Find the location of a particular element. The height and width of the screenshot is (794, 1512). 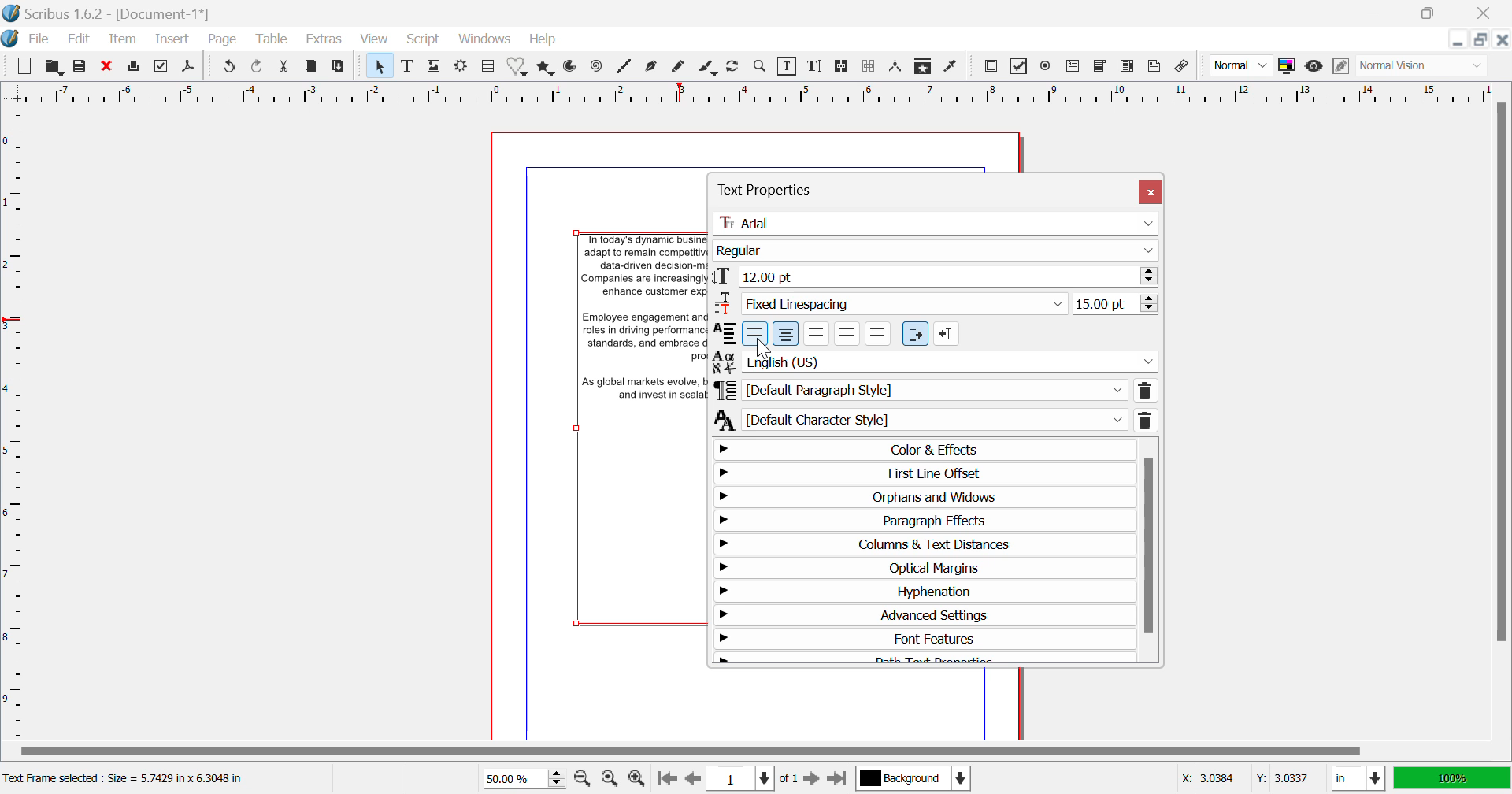

Font Style is located at coordinates (934, 252).